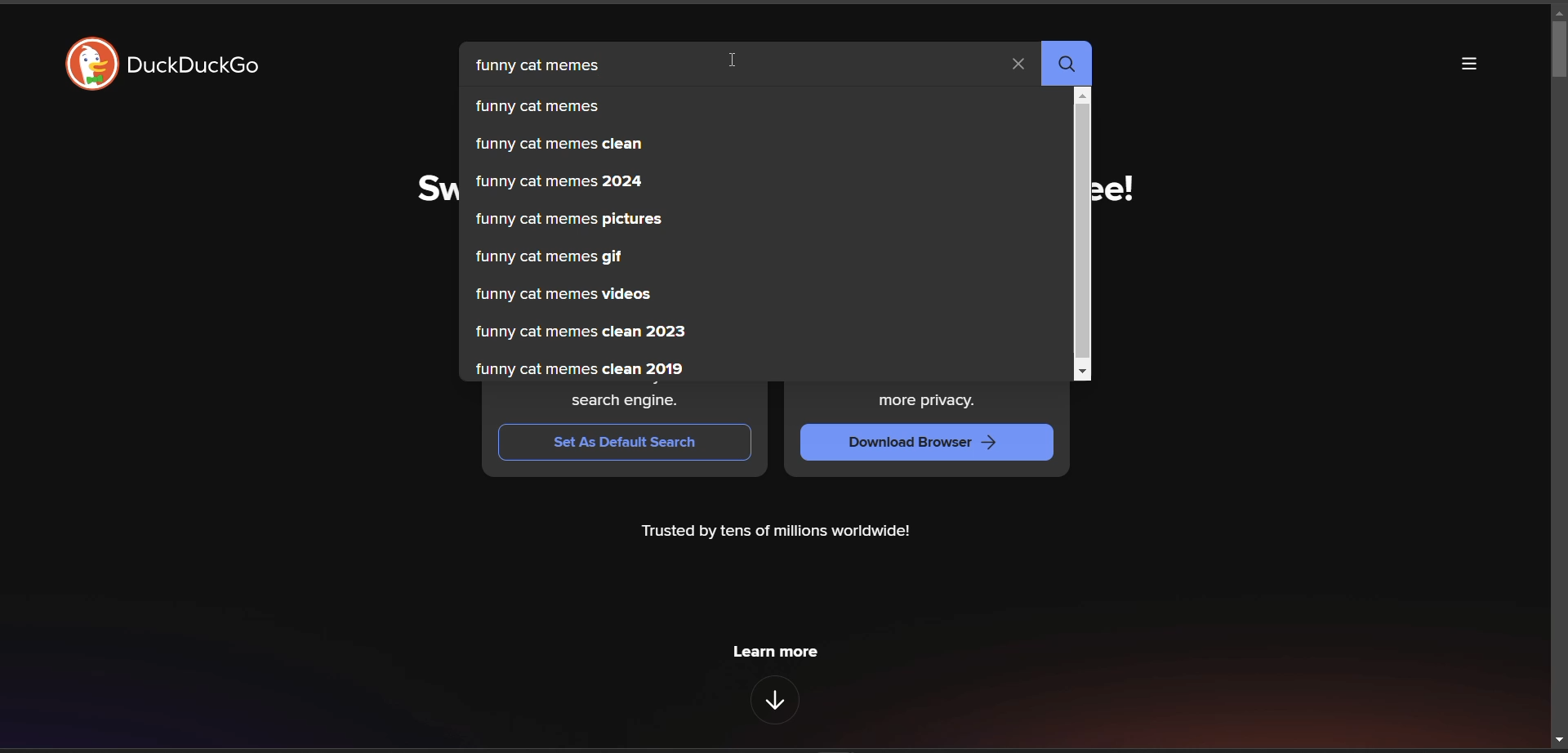  What do you see at coordinates (731, 60) in the screenshot?
I see `cursor` at bounding box center [731, 60].